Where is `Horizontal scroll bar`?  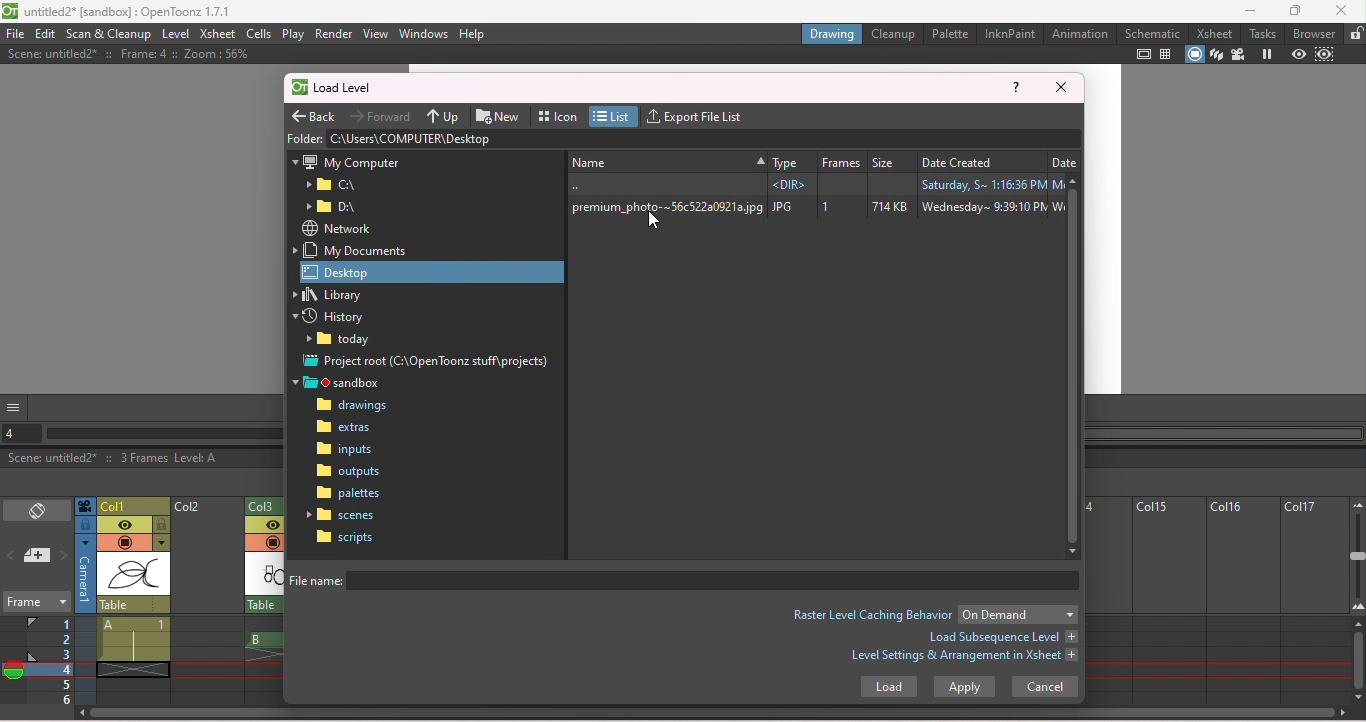
Horizontal scroll bar is located at coordinates (717, 715).